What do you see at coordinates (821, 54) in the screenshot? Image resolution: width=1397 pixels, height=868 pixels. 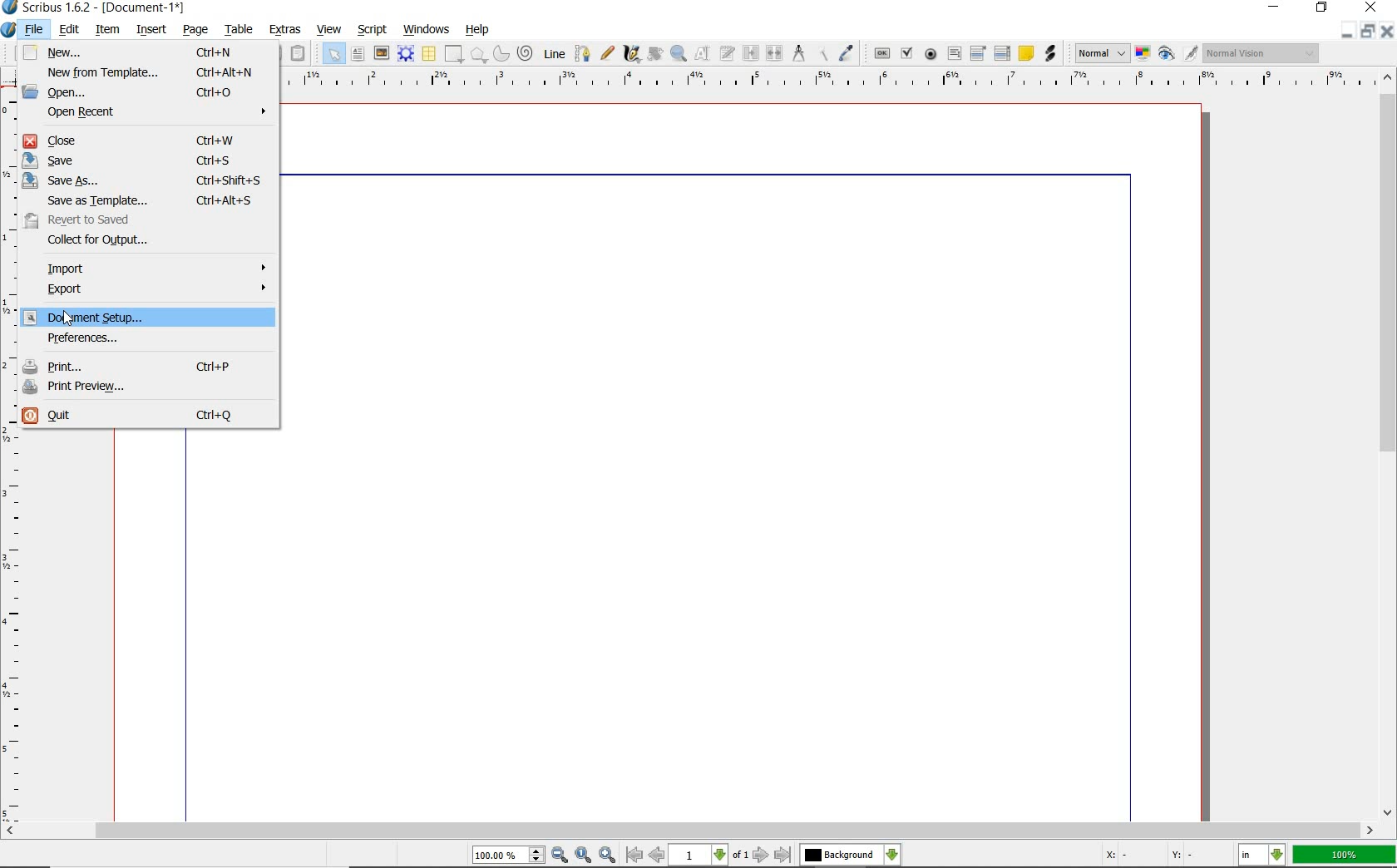 I see `copy item properties` at bounding box center [821, 54].